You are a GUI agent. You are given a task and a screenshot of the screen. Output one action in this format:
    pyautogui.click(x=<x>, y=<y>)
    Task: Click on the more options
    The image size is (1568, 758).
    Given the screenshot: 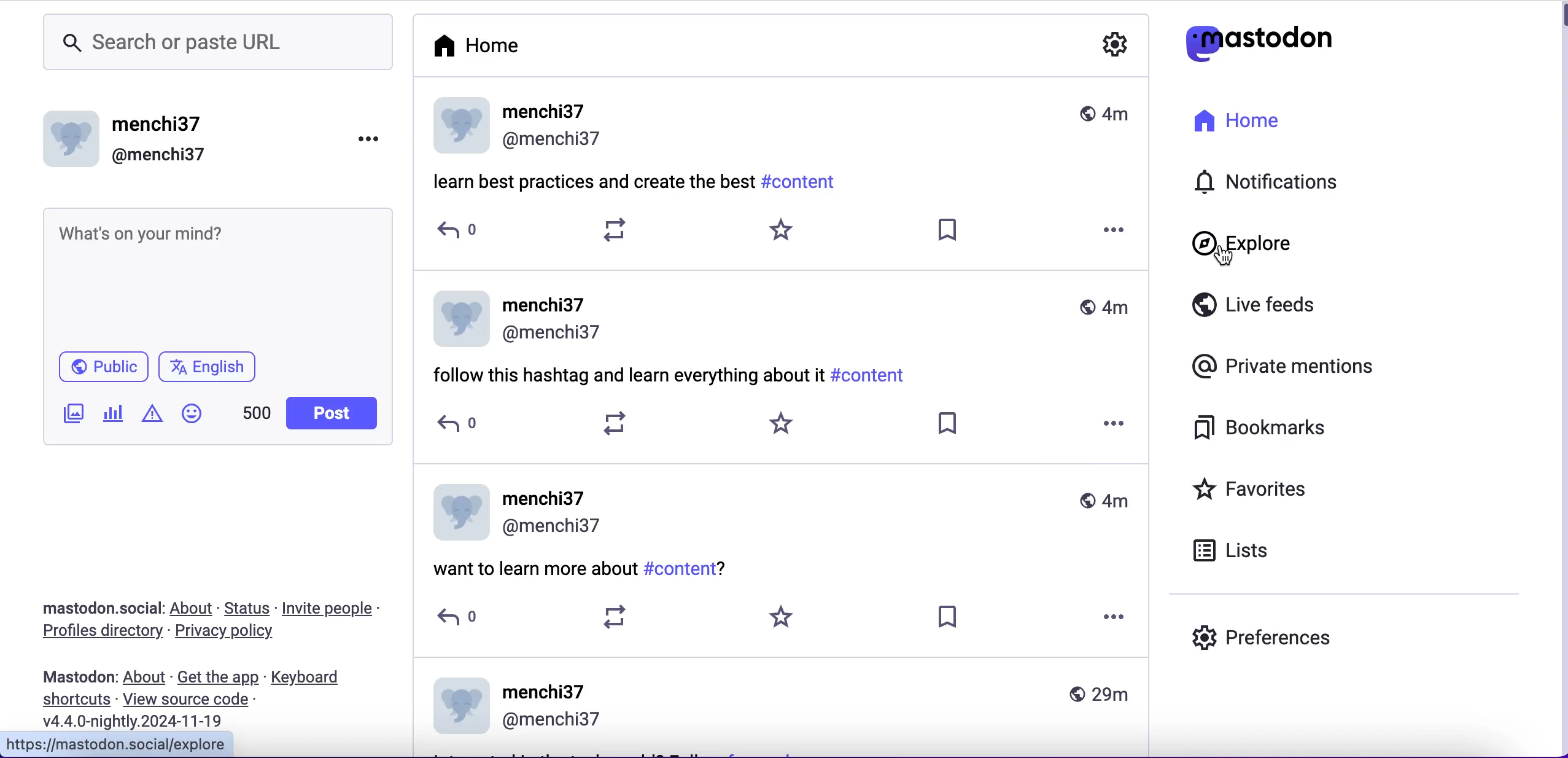 What is the action you would take?
    pyautogui.click(x=1117, y=618)
    